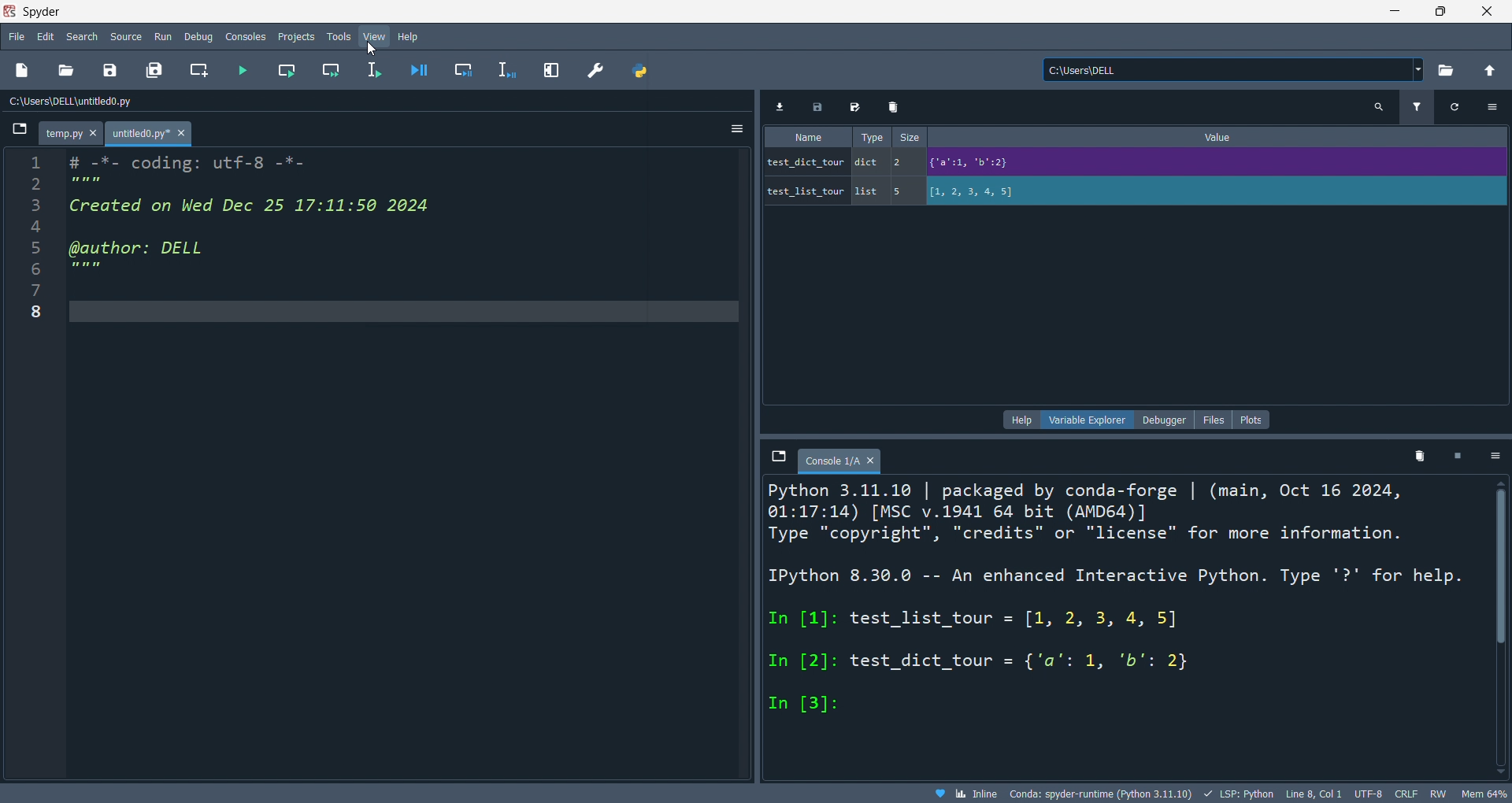 Image resolution: width=1512 pixels, height=803 pixels. Describe the element at coordinates (1484, 794) in the screenshot. I see `memory usage` at that location.